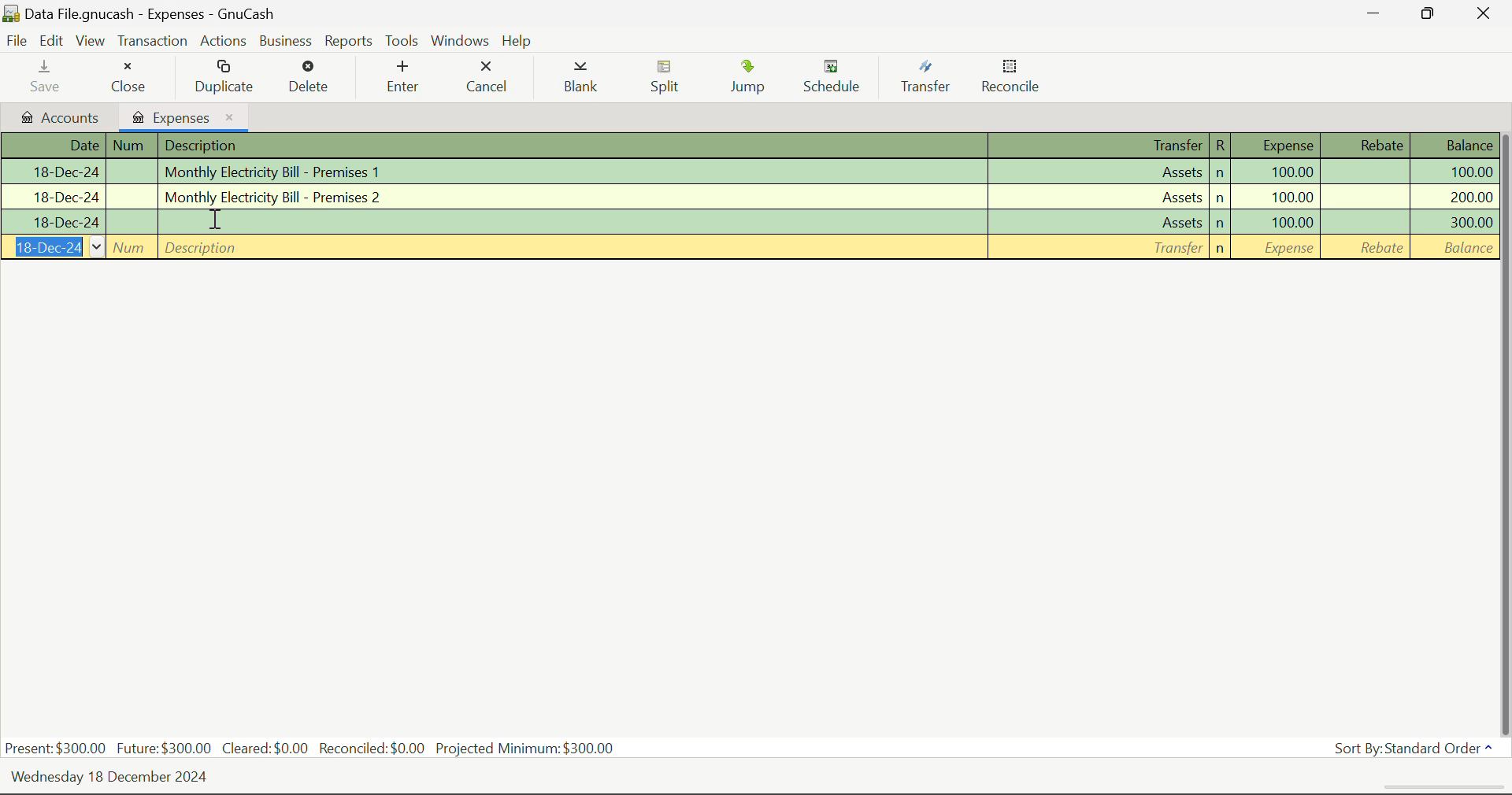 This screenshot has width=1512, height=795. Describe the element at coordinates (1414, 749) in the screenshot. I see `Sort By: Standard Order` at that location.